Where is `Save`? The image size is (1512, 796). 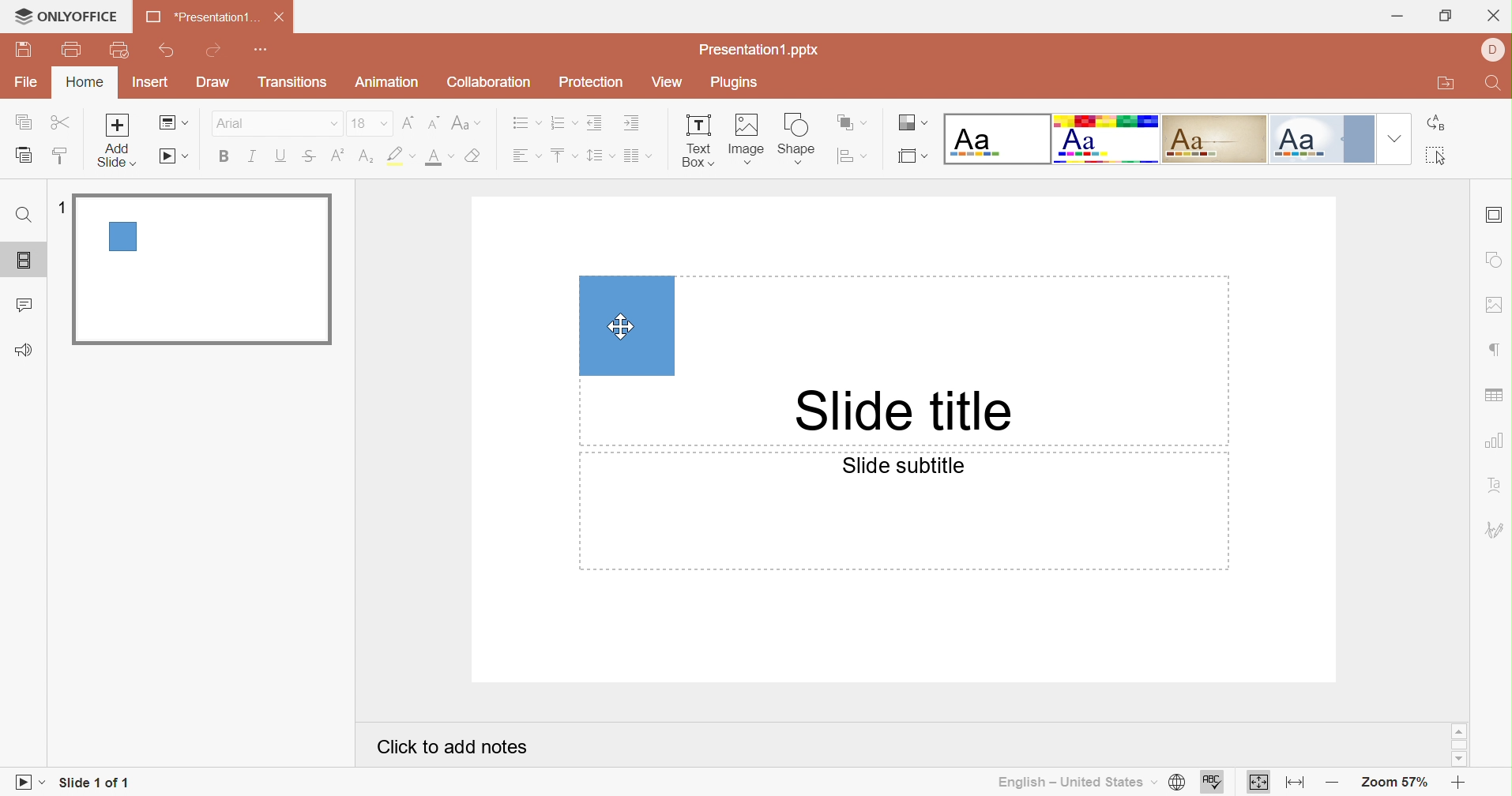
Save is located at coordinates (24, 50).